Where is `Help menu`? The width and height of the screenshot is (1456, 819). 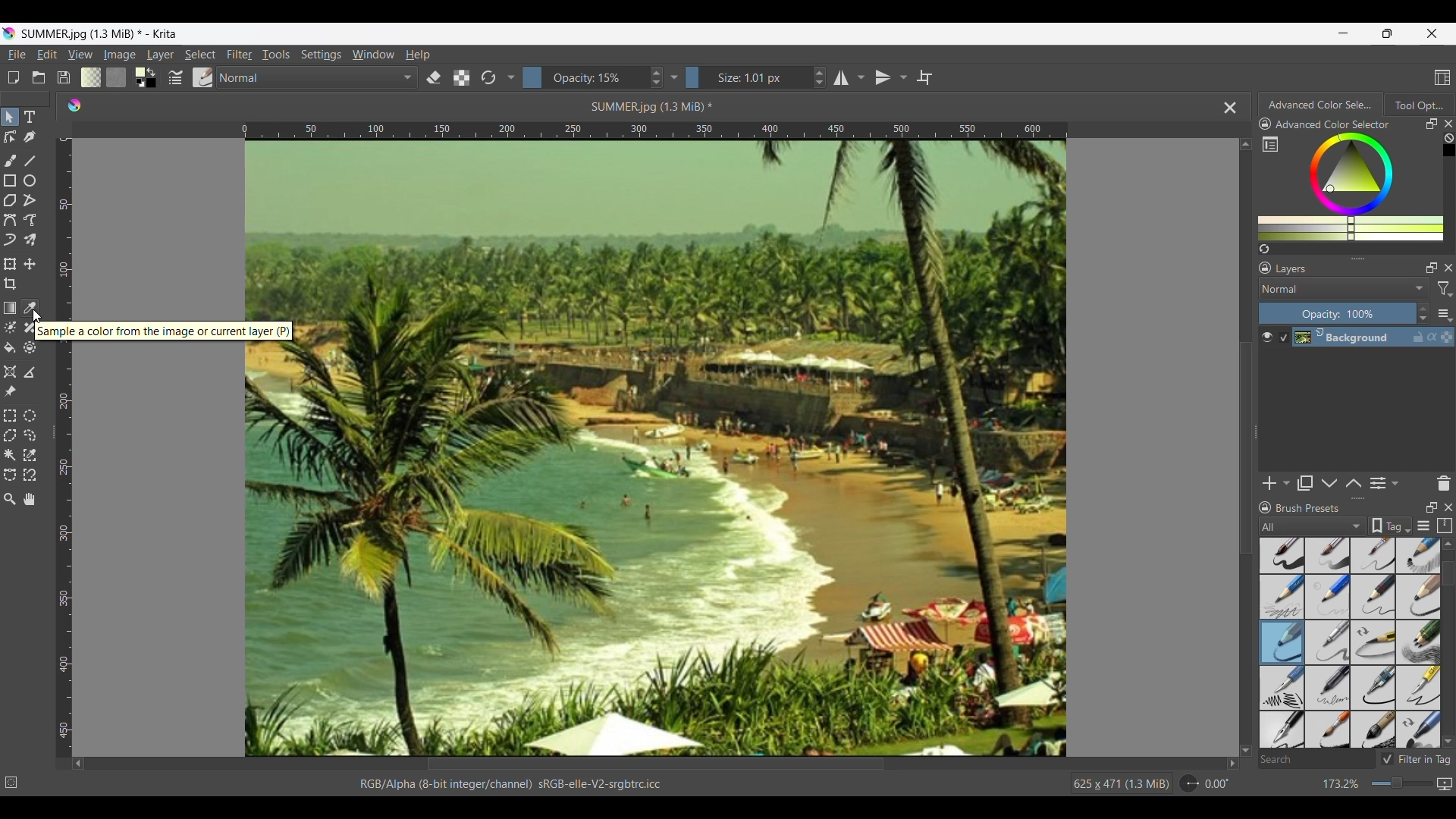
Help menu is located at coordinates (418, 54).